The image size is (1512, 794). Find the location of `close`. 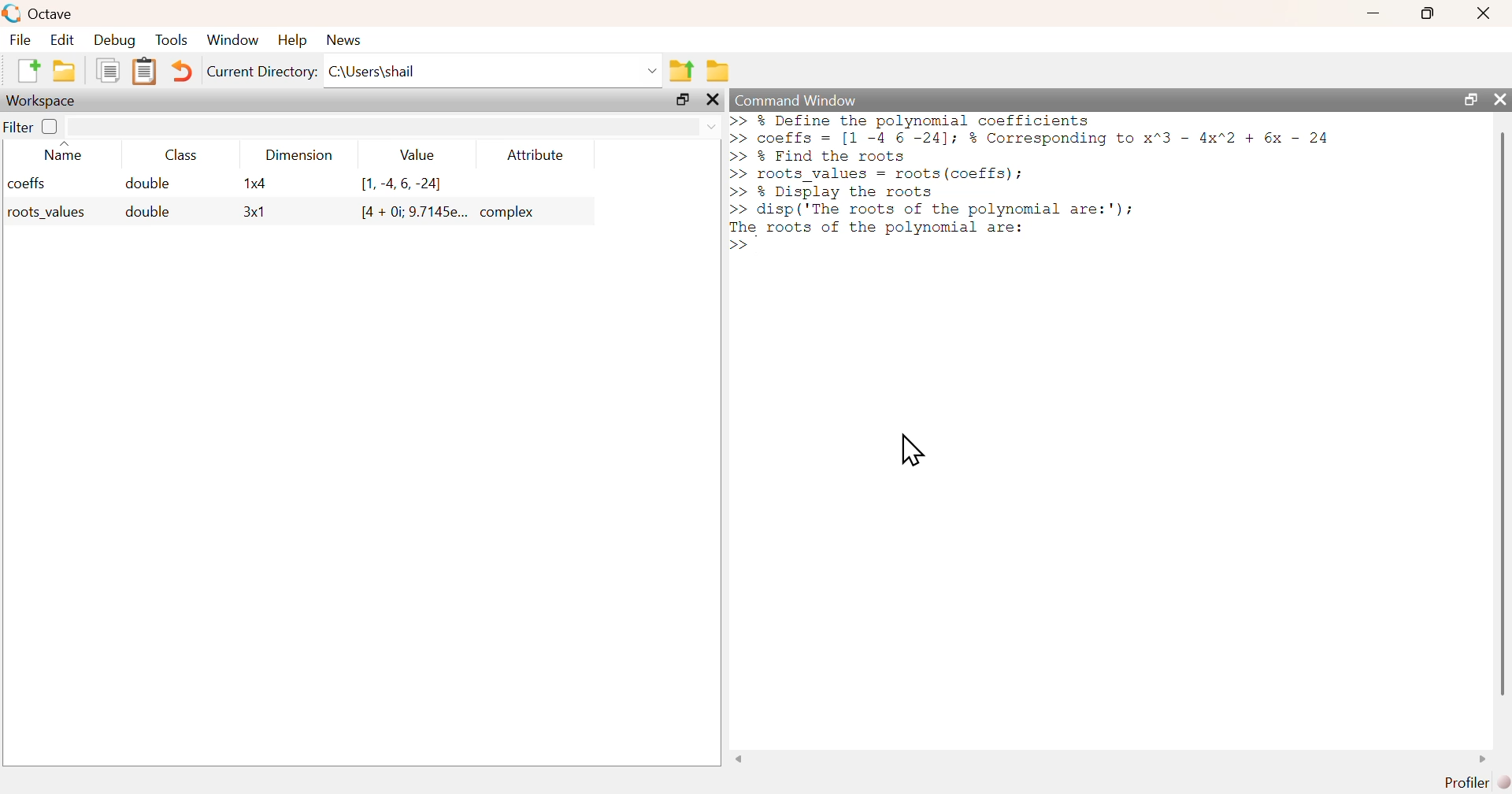

close is located at coordinates (1500, 100).